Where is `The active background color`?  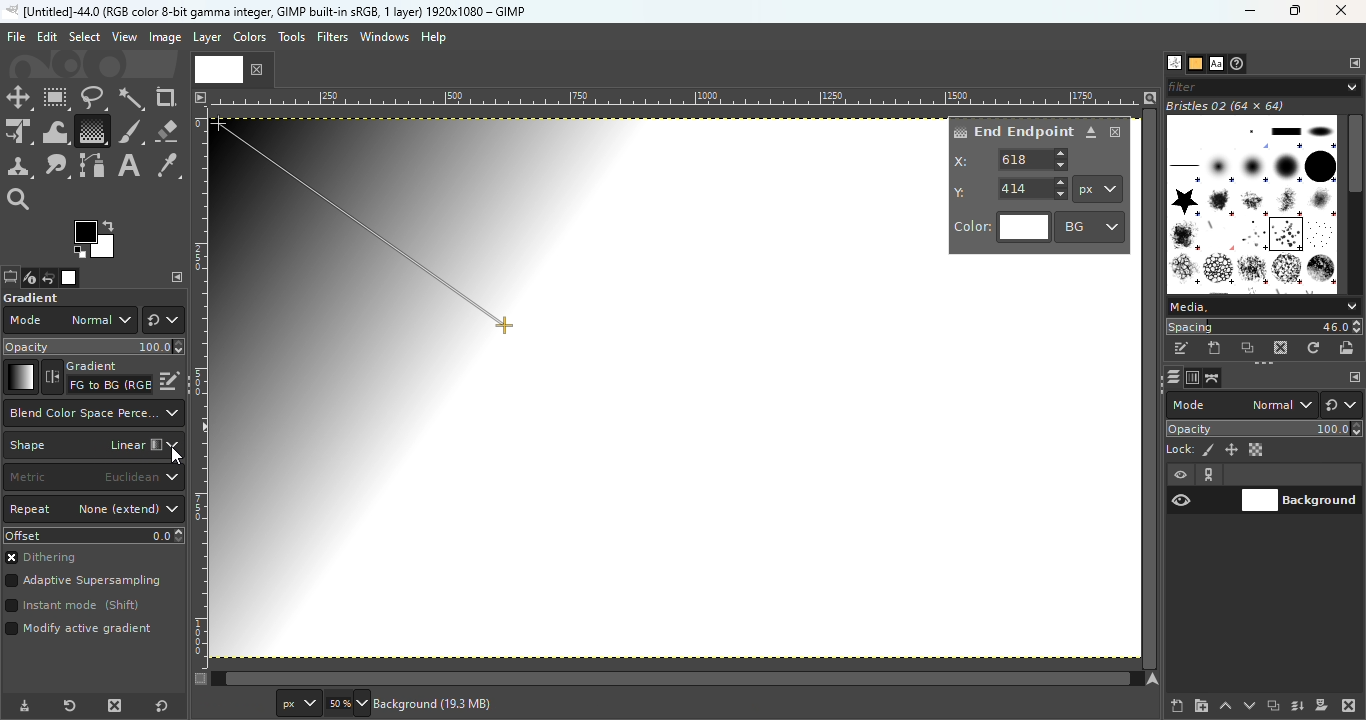 The active background color is located at coordinates (98, 240).